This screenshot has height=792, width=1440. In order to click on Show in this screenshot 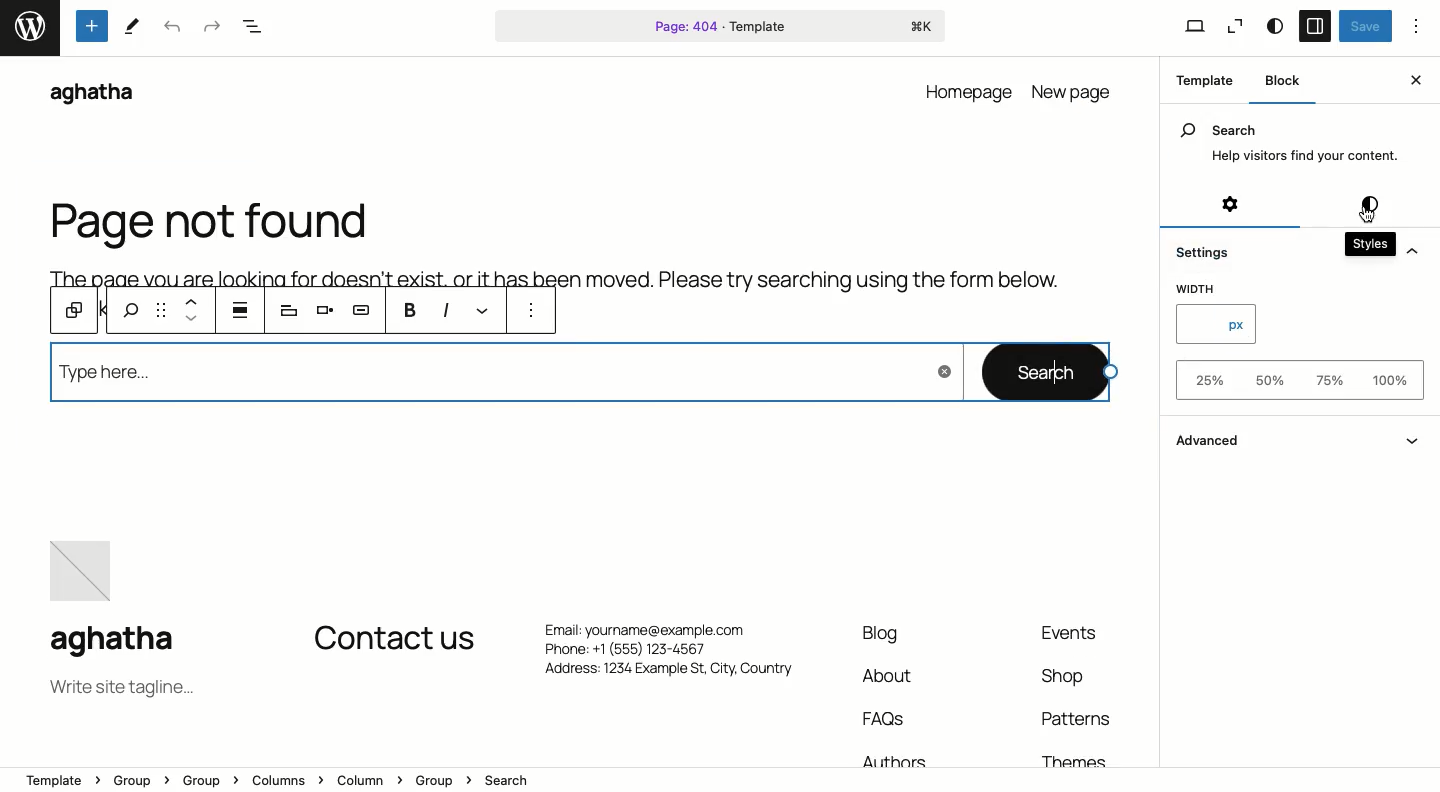, I will do `click(1408, 445)`.